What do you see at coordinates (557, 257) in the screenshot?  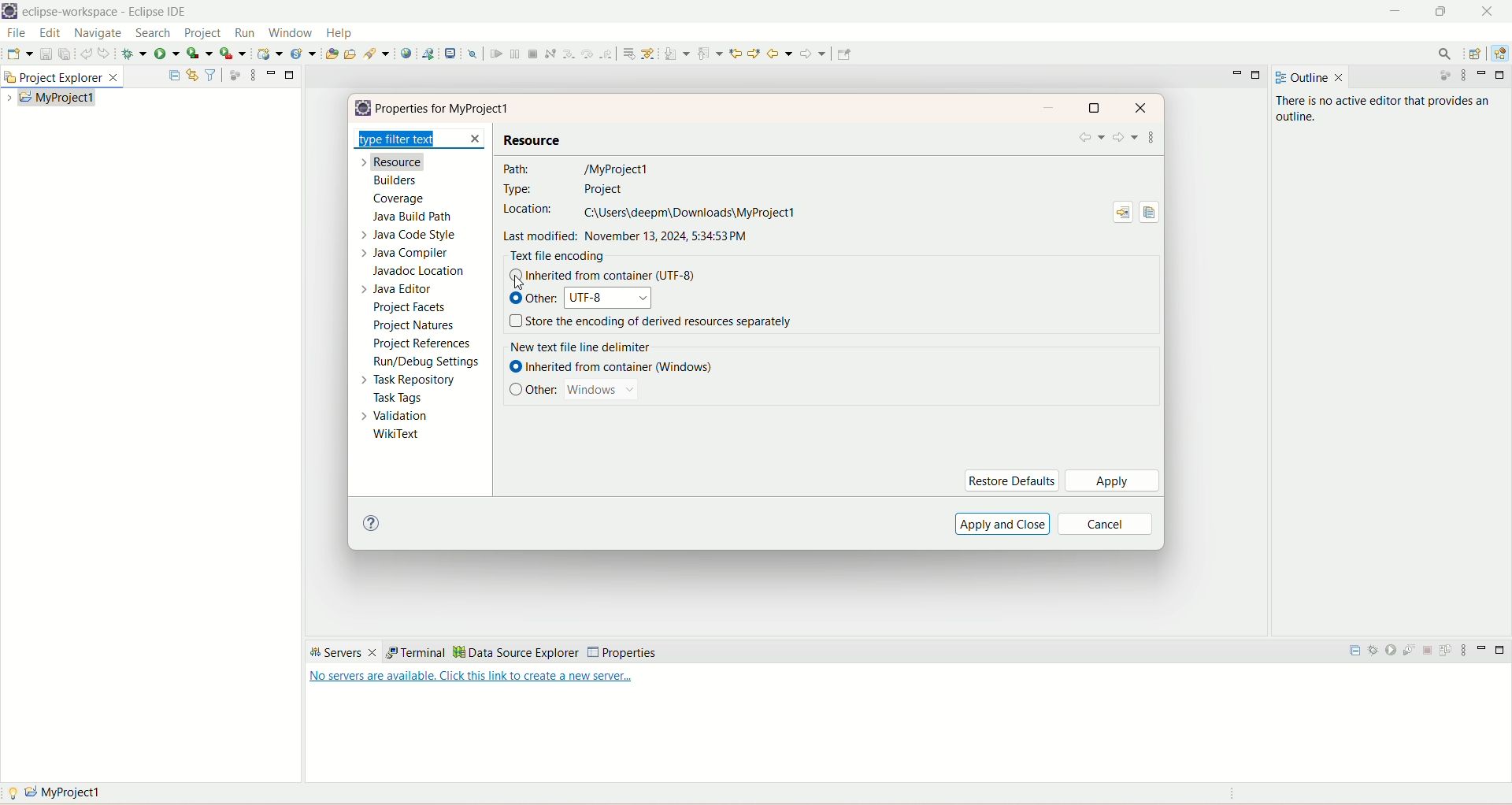 I see `text file encoding` at bounding box center [557, 257].